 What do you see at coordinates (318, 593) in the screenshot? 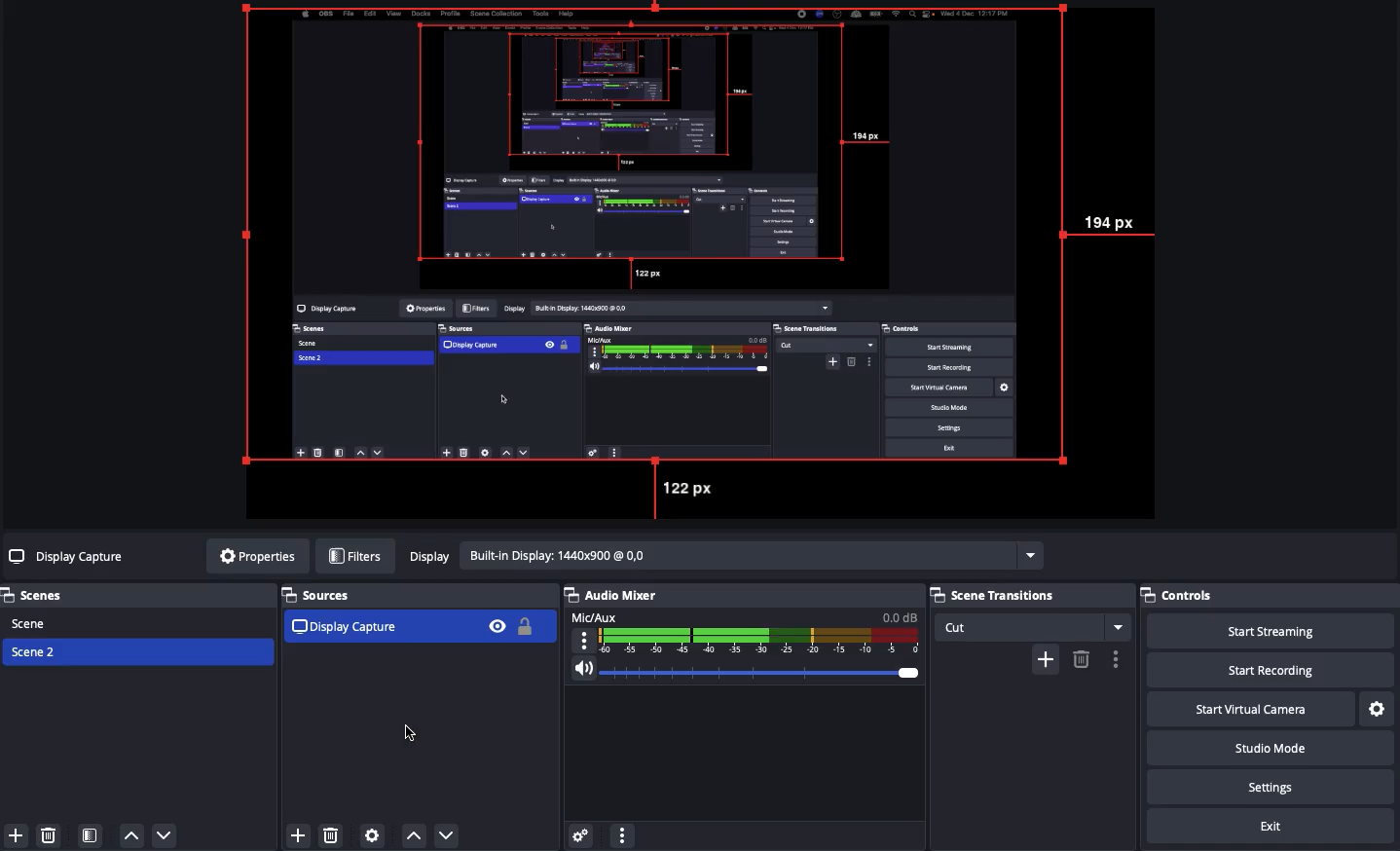
I see `Sources` at bounding box center [318, 593].